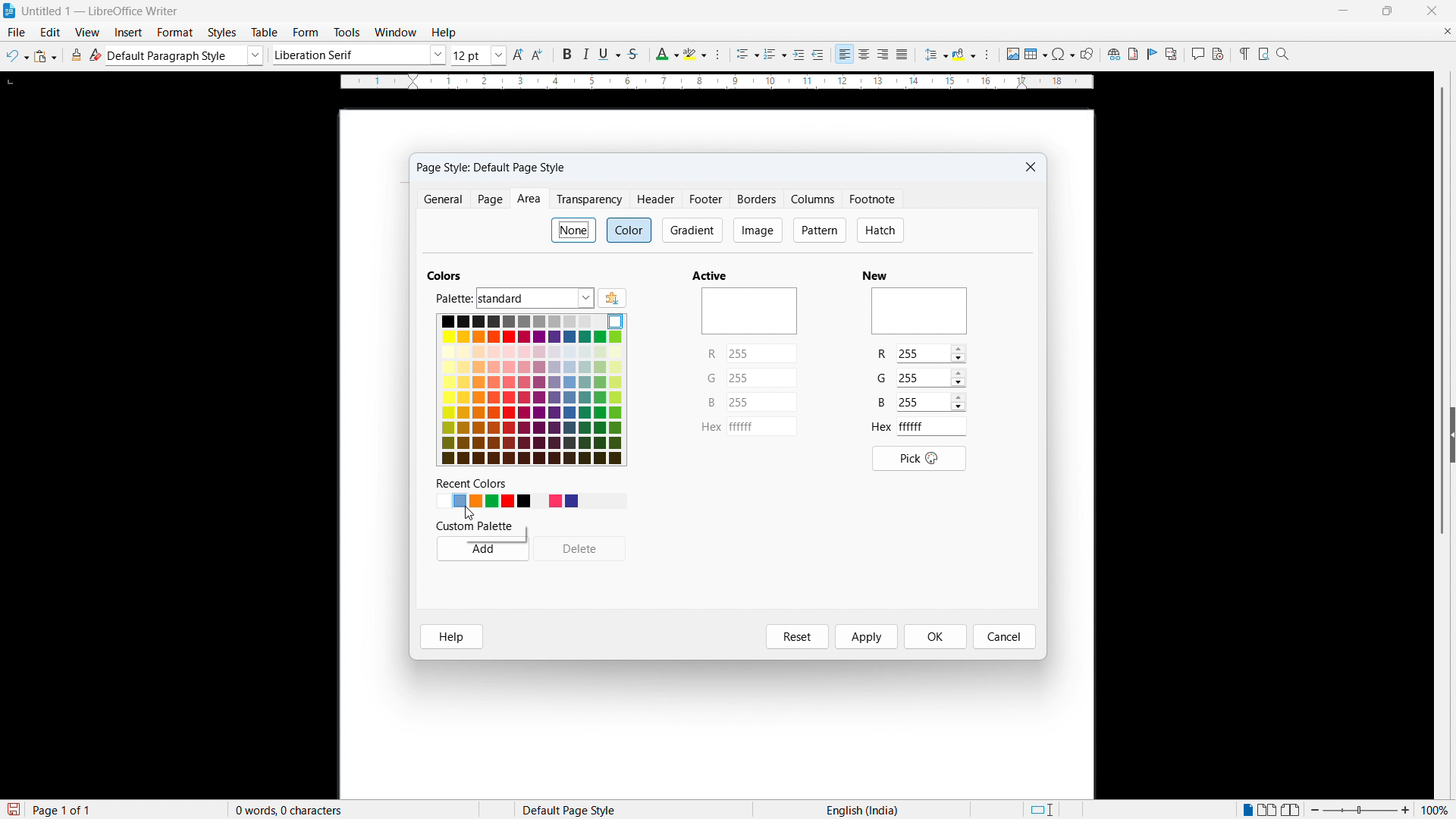 Image resolution: width=1456 pixels, height=819 pixels. I want to click on Zoom , so click(1283, 53).